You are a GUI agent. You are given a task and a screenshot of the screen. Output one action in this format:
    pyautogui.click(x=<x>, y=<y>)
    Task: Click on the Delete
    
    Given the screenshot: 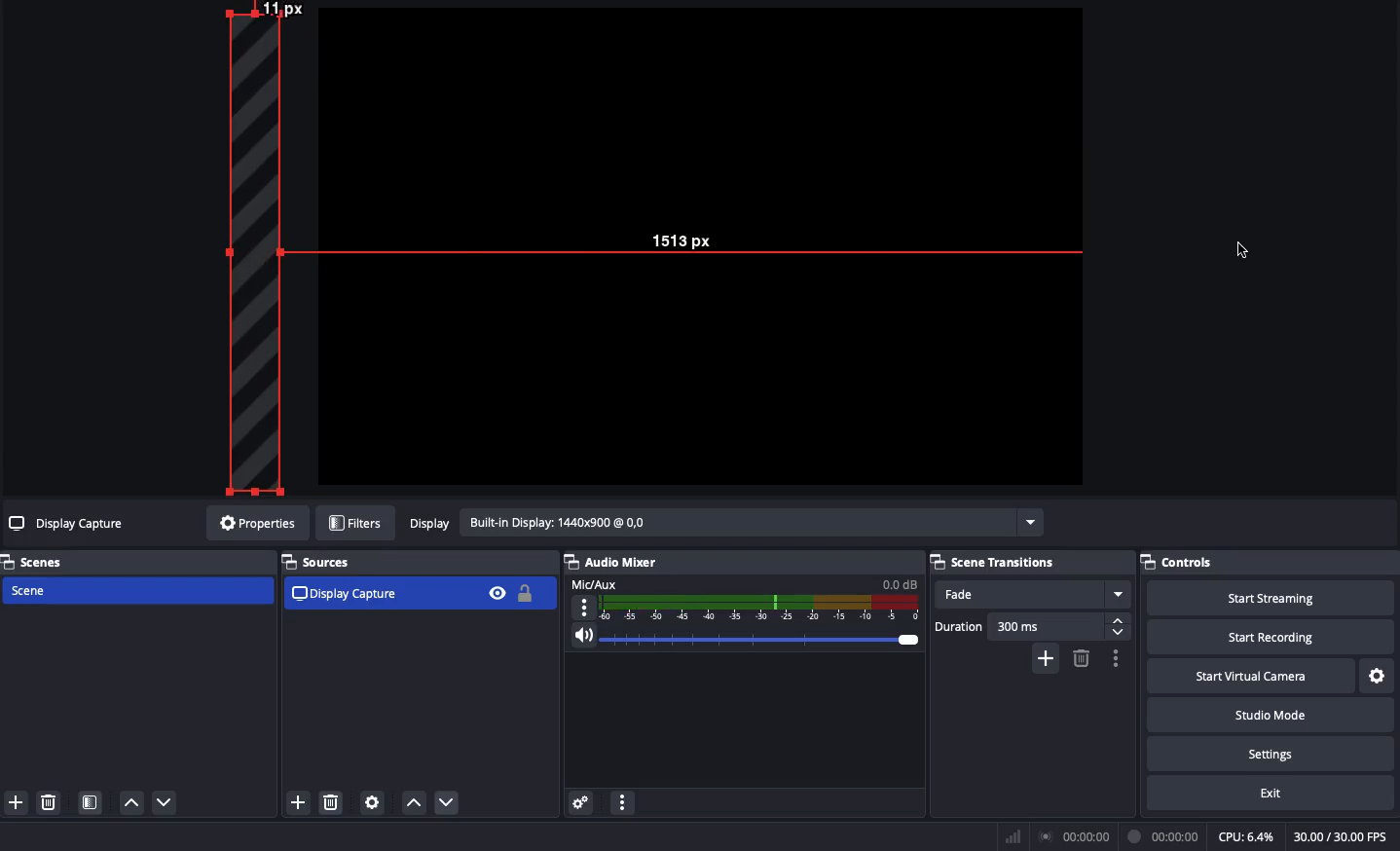 What is the action you would take?
    pyautogui.click(x=332, y=803)
    